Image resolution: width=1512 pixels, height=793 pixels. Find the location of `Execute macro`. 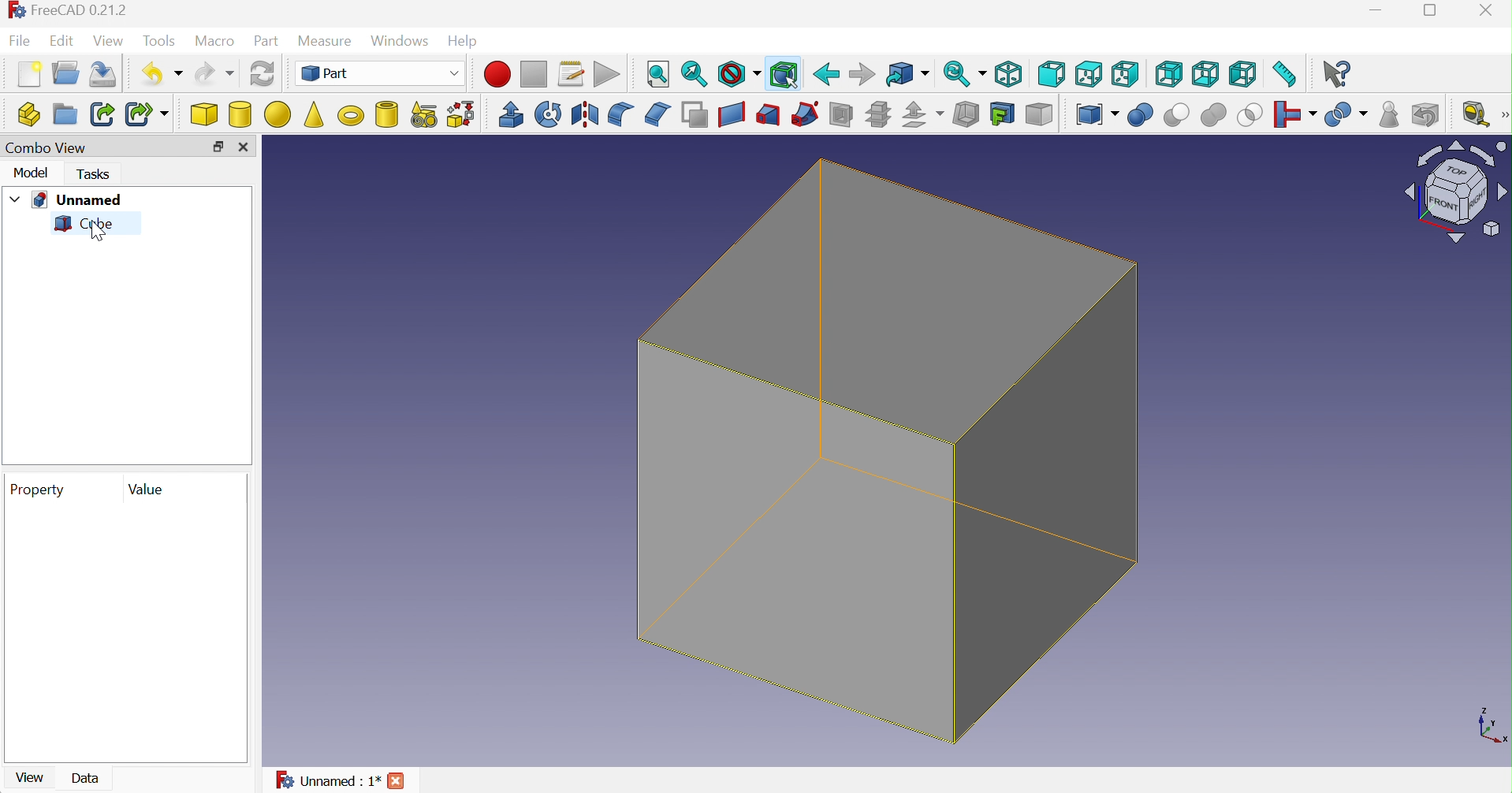

Execute macro is located at coordinates (608, 76).